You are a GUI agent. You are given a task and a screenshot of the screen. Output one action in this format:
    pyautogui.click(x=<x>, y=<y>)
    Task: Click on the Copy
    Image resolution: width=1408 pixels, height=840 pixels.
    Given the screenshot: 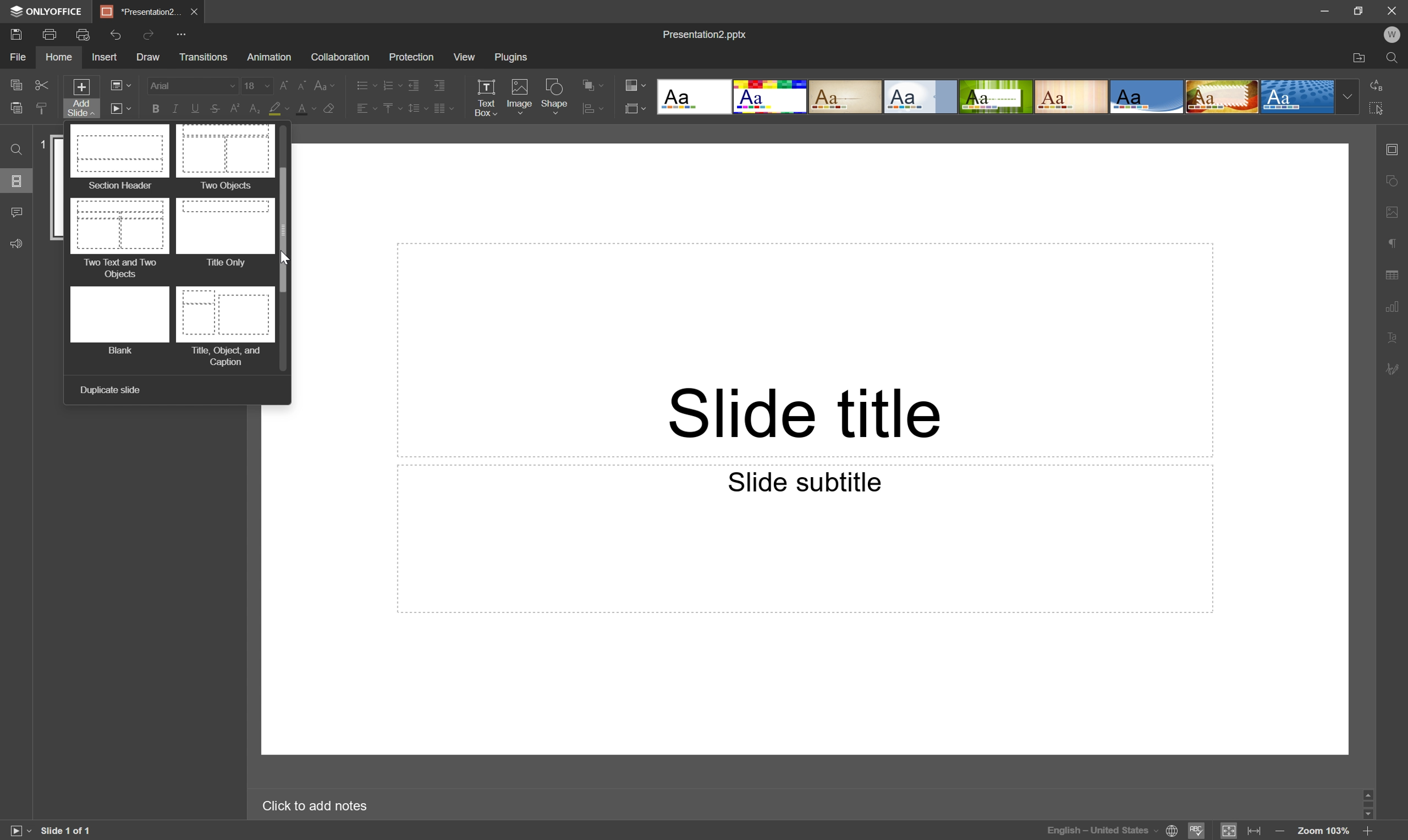 What is the action you would take?
    pyautogui.click(x=18, y=84)
    